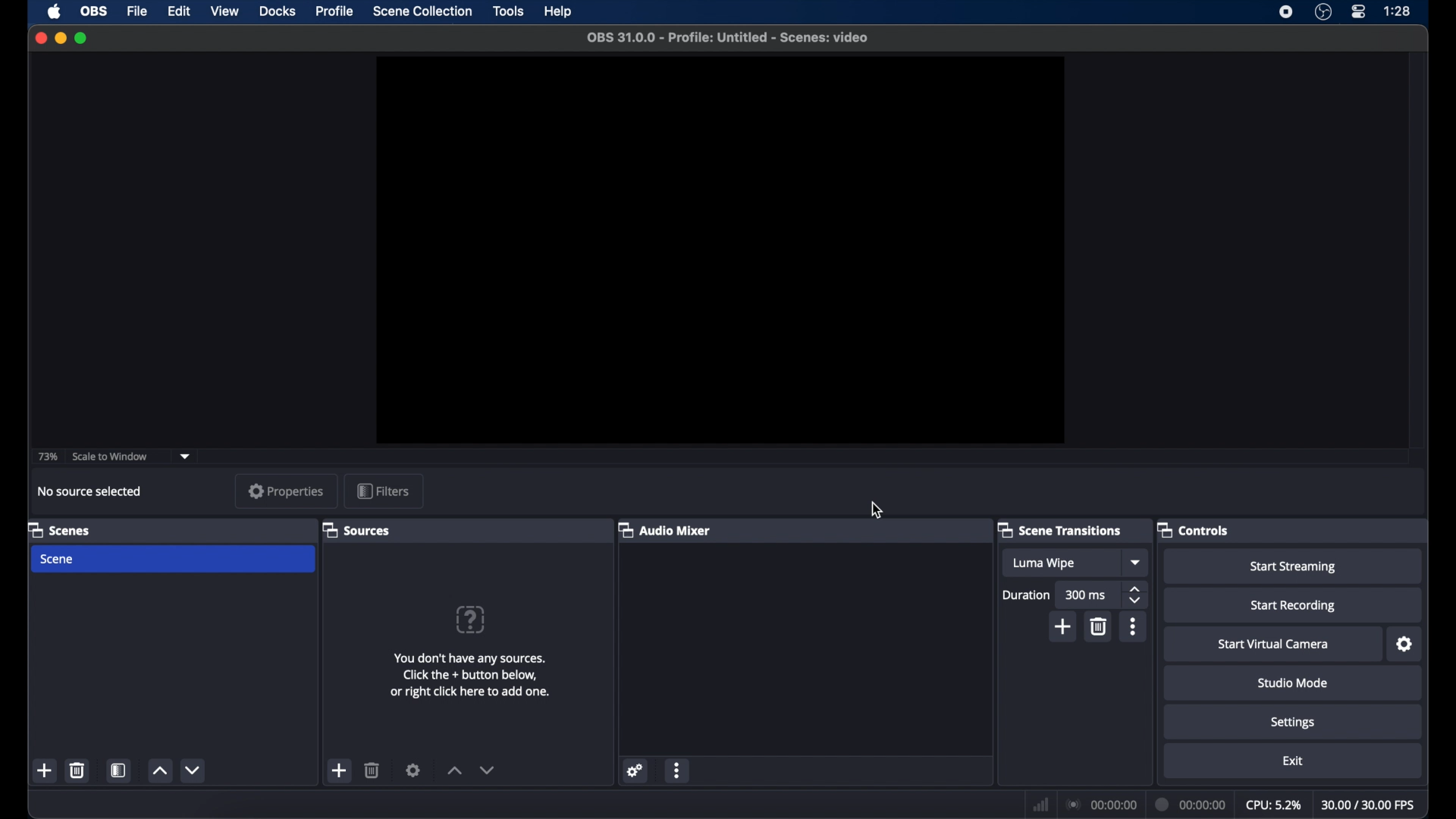 This screenshot has height=819, width=1456. I want to click on more options, so click(679, 770).